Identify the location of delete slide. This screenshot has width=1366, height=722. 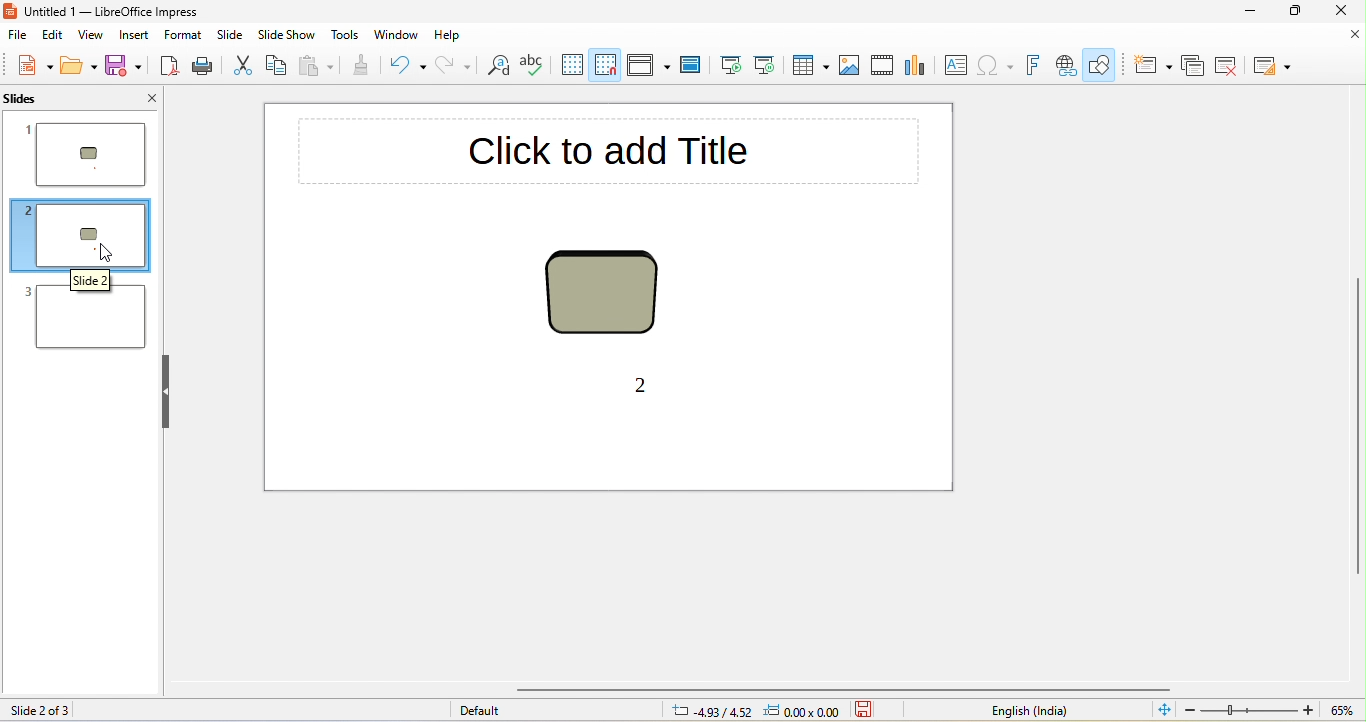
(1231, 66).